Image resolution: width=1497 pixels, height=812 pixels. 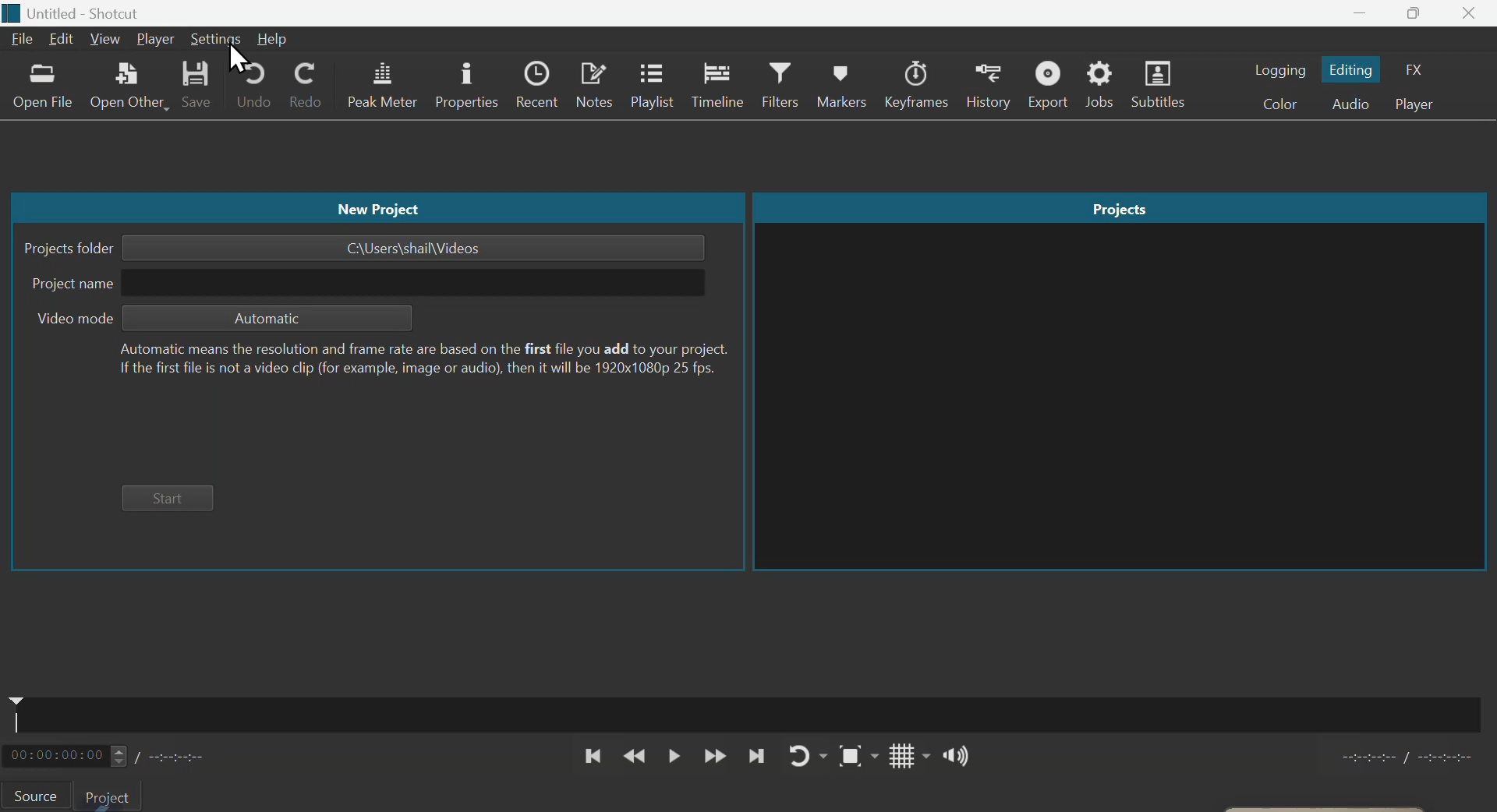 What do you see at coordinates (1472, 13) in the screenshot?
I see `close` at bounding box center [1472, 13].